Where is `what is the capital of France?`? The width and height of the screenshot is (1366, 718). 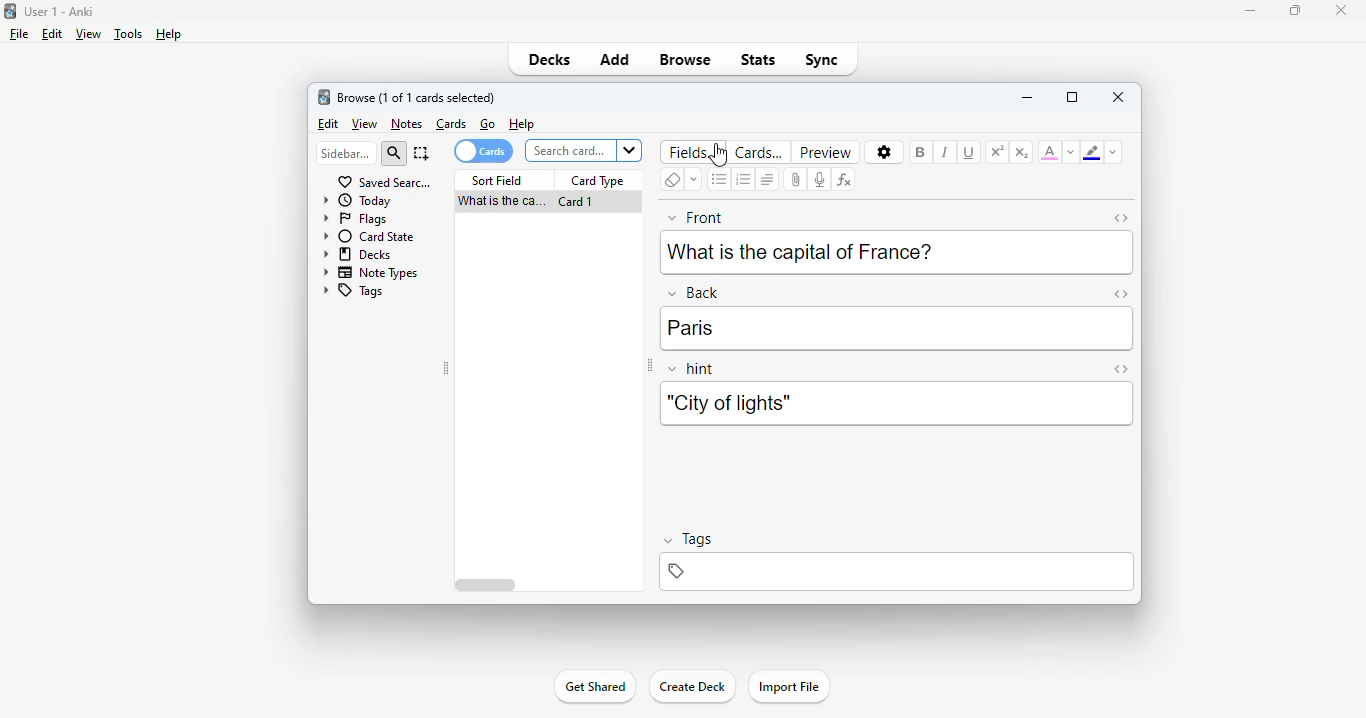
what is the capital of France? is located at coordinates (499, 202).